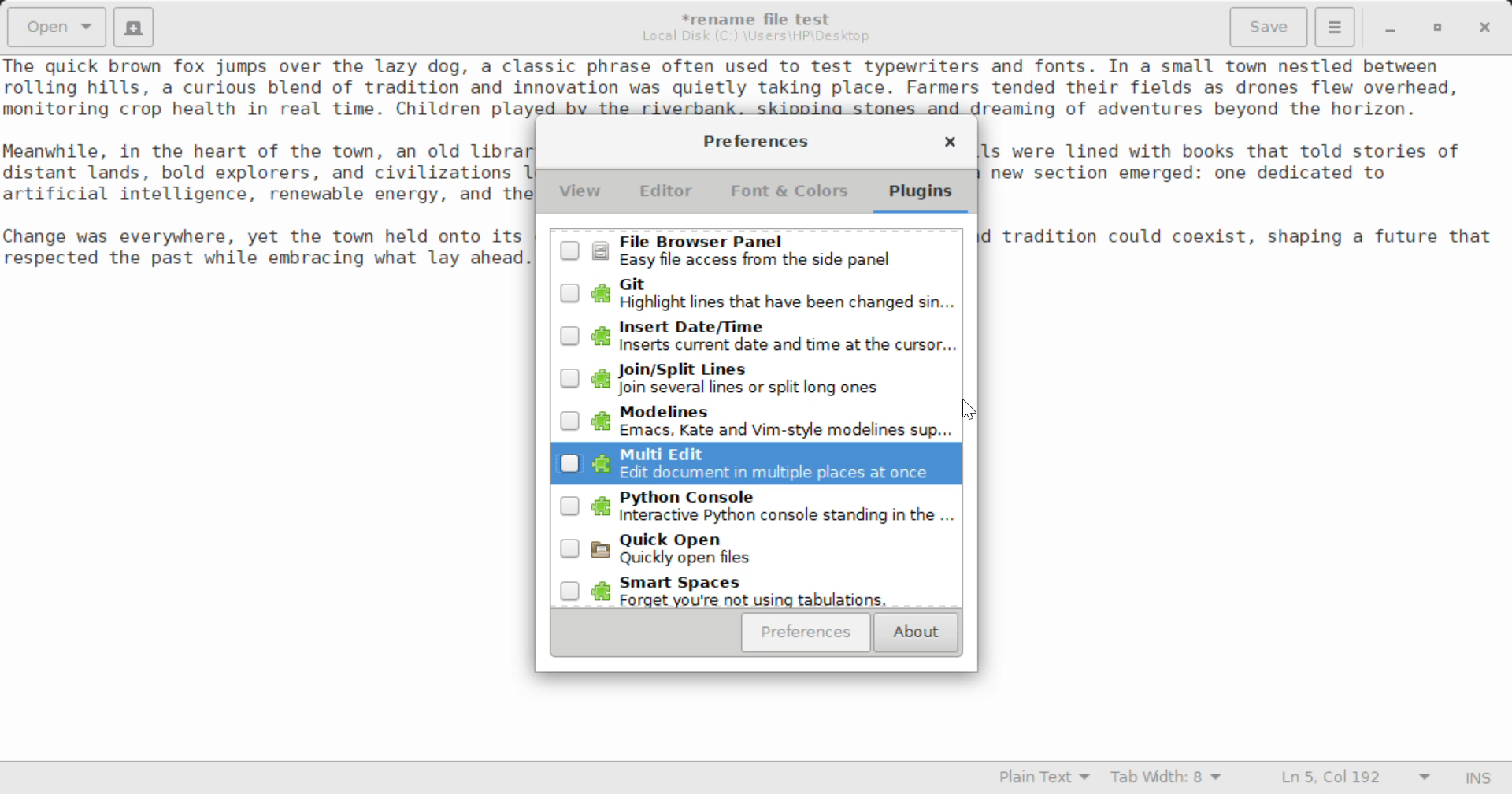  What do you see at coordinates (789, 197) in the screenshot?
I see `Font & Colors Tab` at bounding box center [789, 197].